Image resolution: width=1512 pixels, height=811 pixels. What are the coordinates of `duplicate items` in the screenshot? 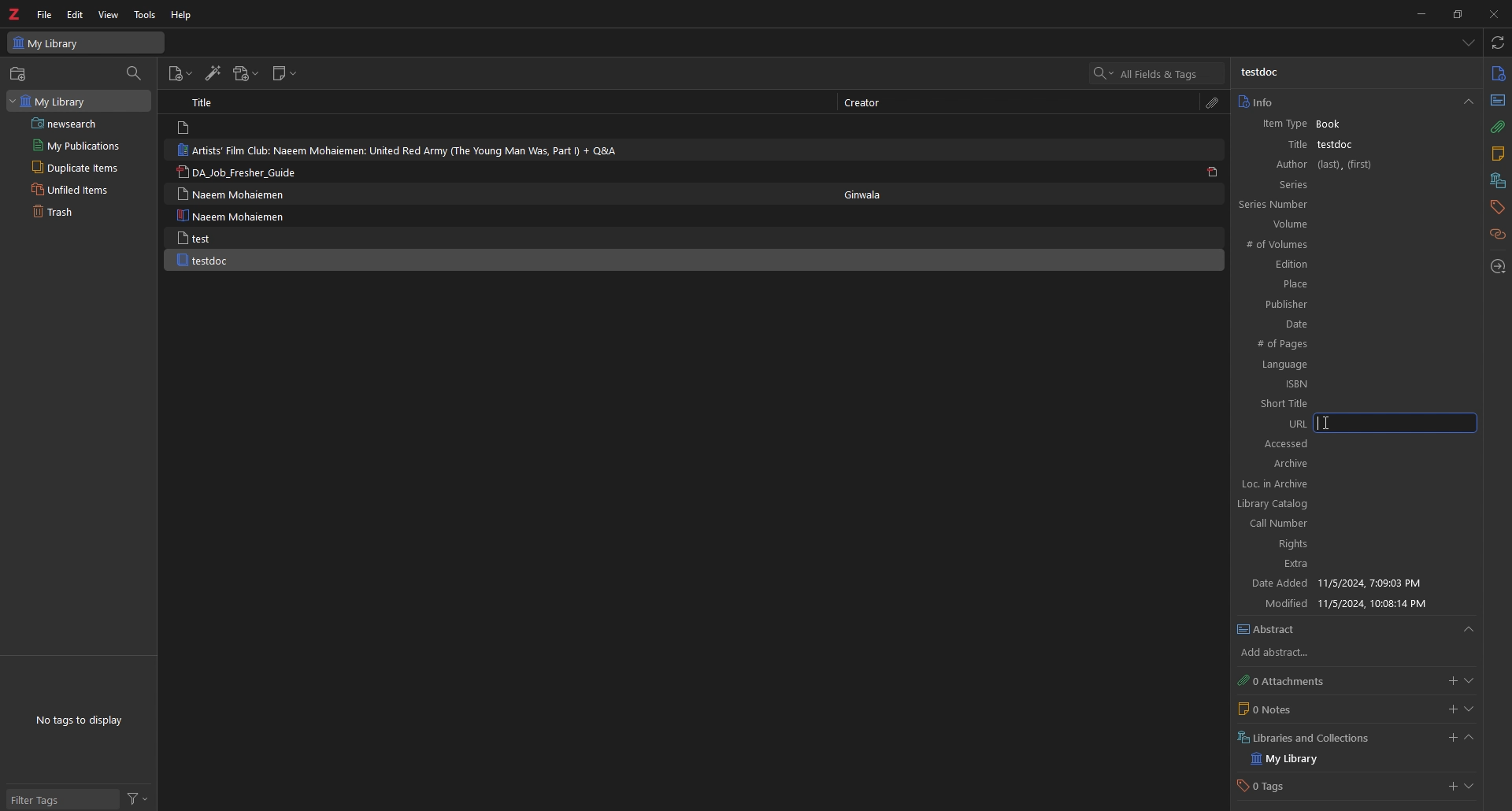 It's located at (76, 167).